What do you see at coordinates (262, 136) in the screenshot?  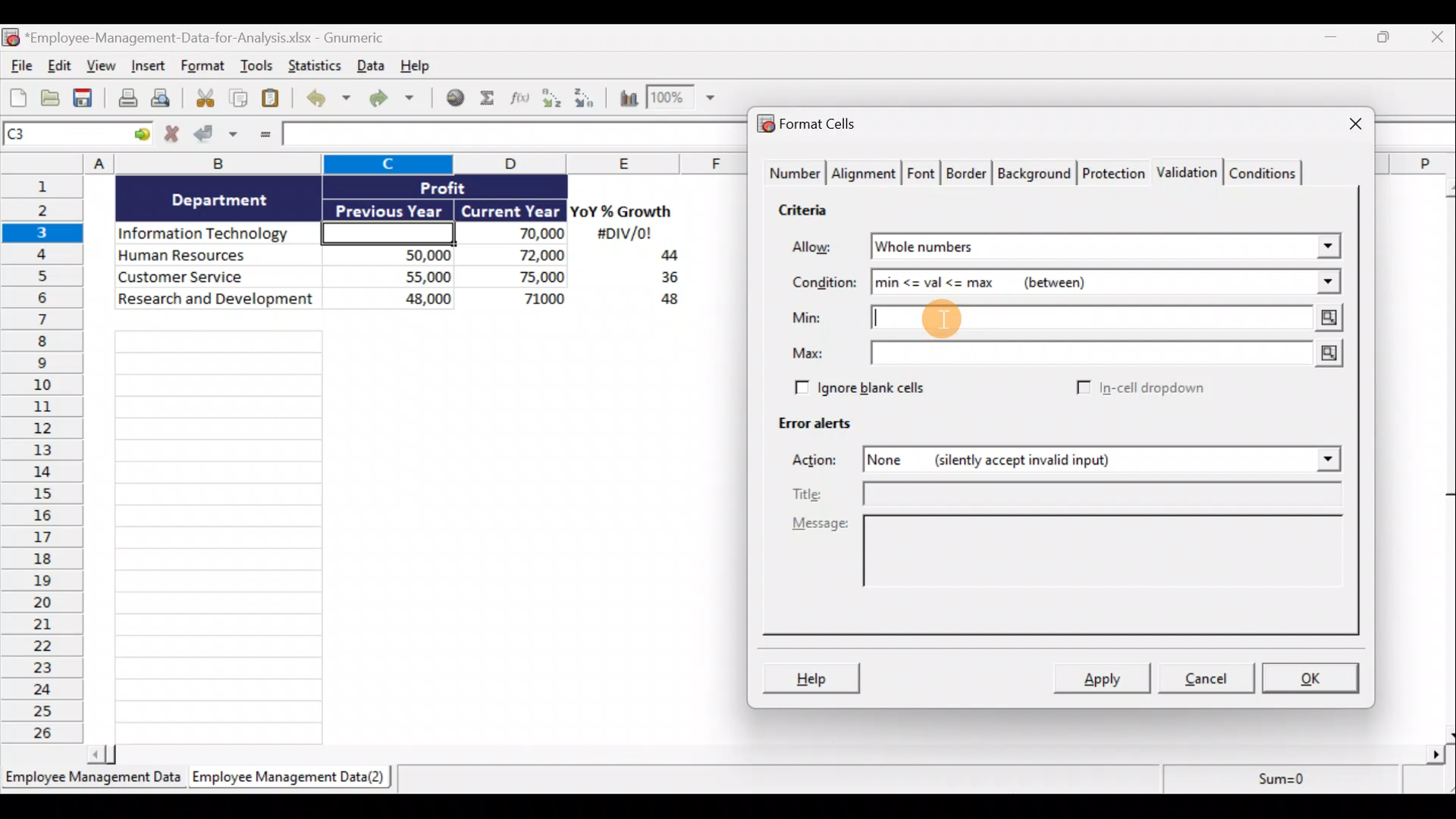 I see `Enter formula` at bounding box center [262, 136].